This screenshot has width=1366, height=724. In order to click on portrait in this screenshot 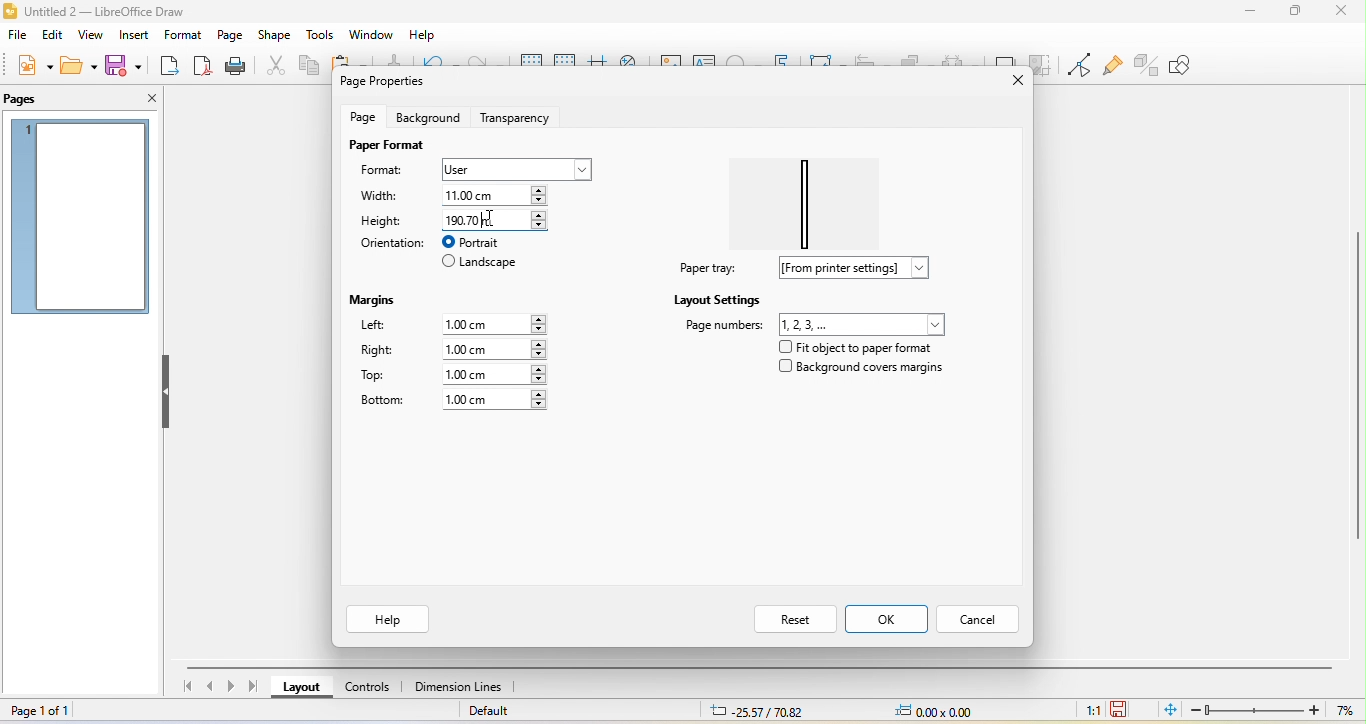, I will do `click(483, 242)`.